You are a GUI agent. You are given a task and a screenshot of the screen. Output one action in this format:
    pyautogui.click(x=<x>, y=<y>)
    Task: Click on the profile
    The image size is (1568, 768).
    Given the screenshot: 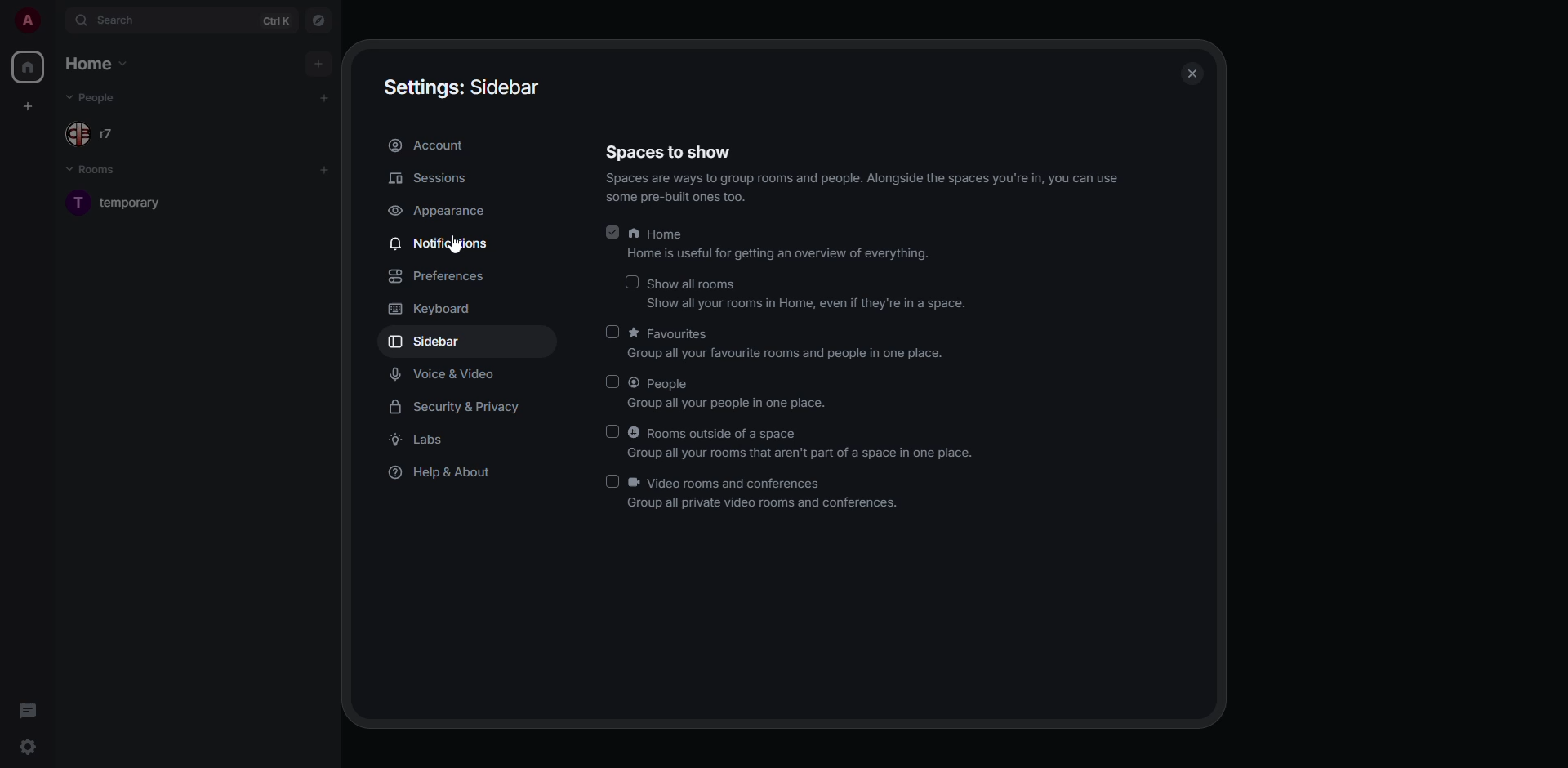 What is the action you would take?
    pyautogui.click(x=27, y=20)
    